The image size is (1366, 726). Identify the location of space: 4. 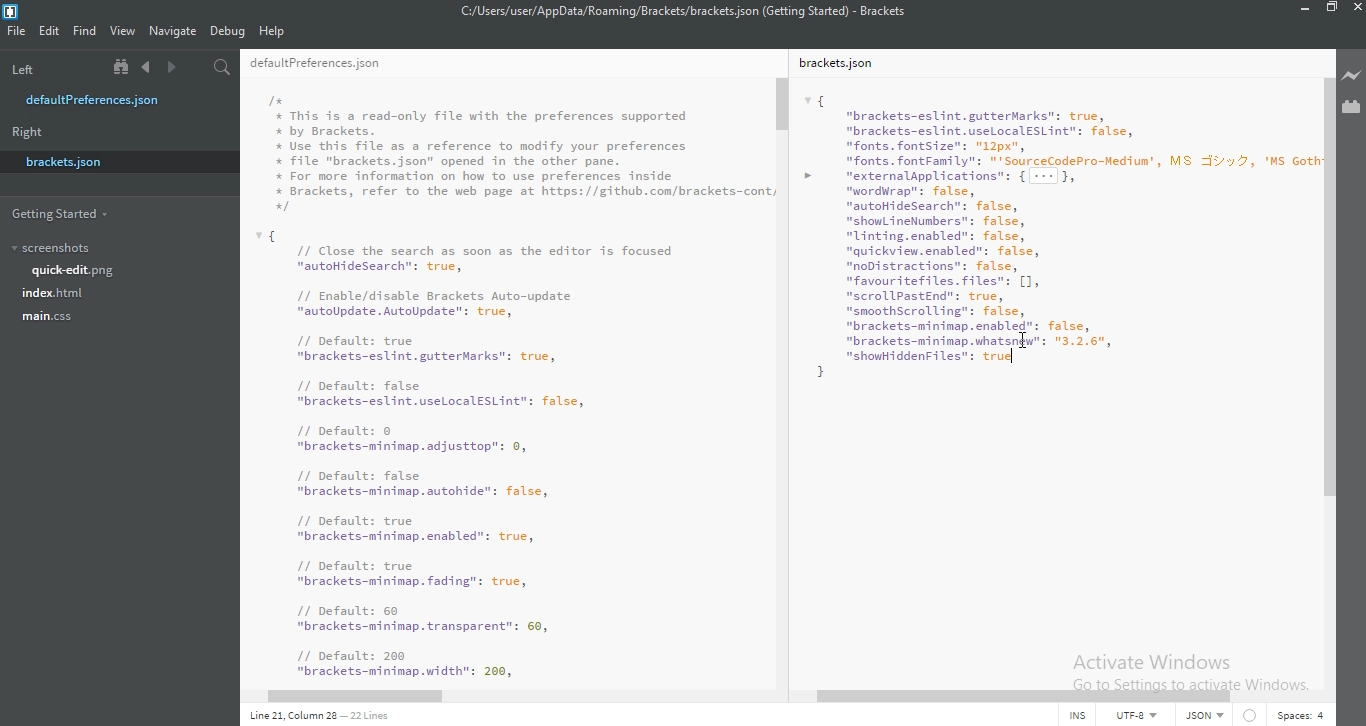
(1298, 714).